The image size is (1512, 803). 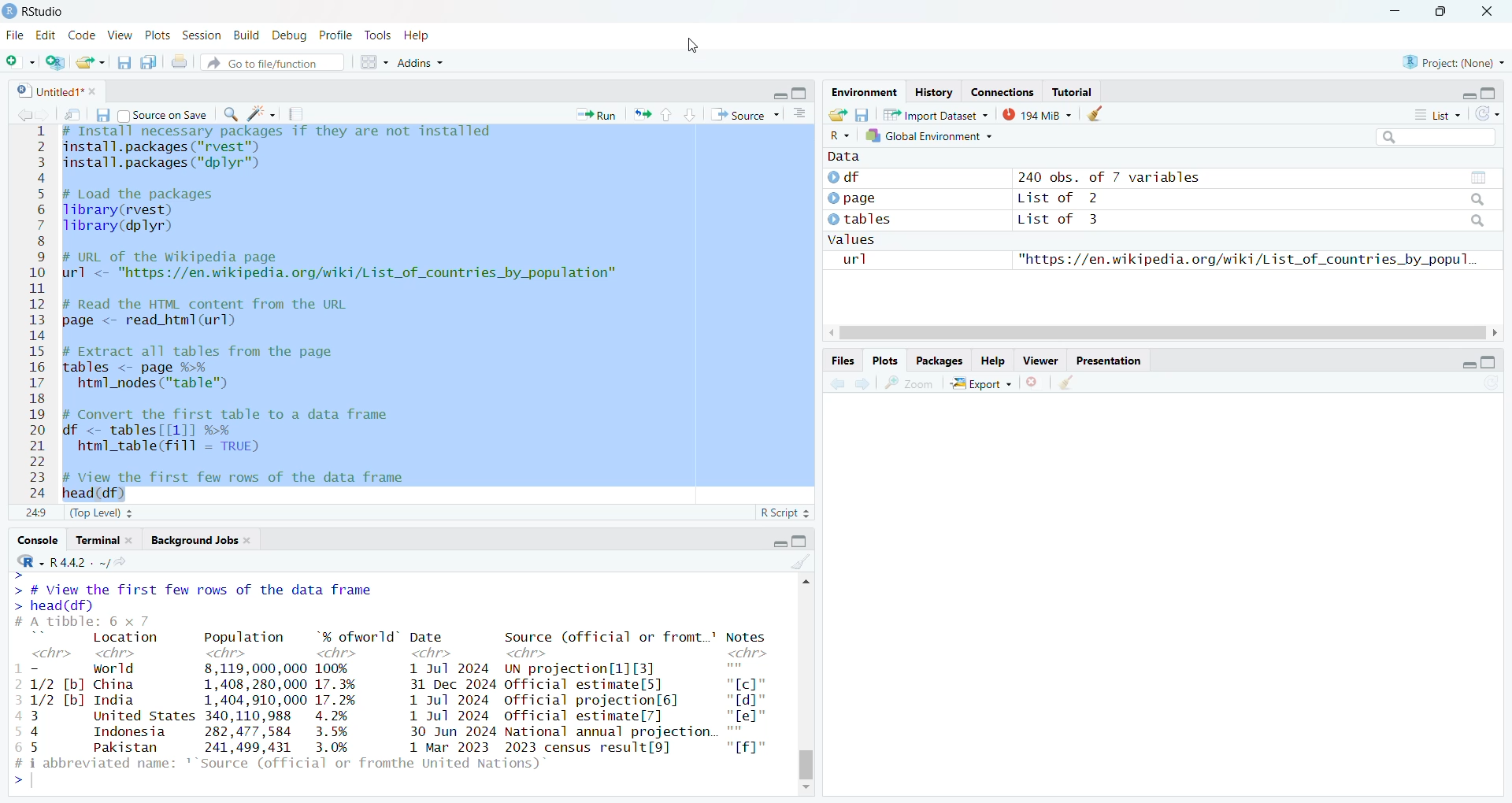 I want to click on scroll down, so click(x=806, y=789).